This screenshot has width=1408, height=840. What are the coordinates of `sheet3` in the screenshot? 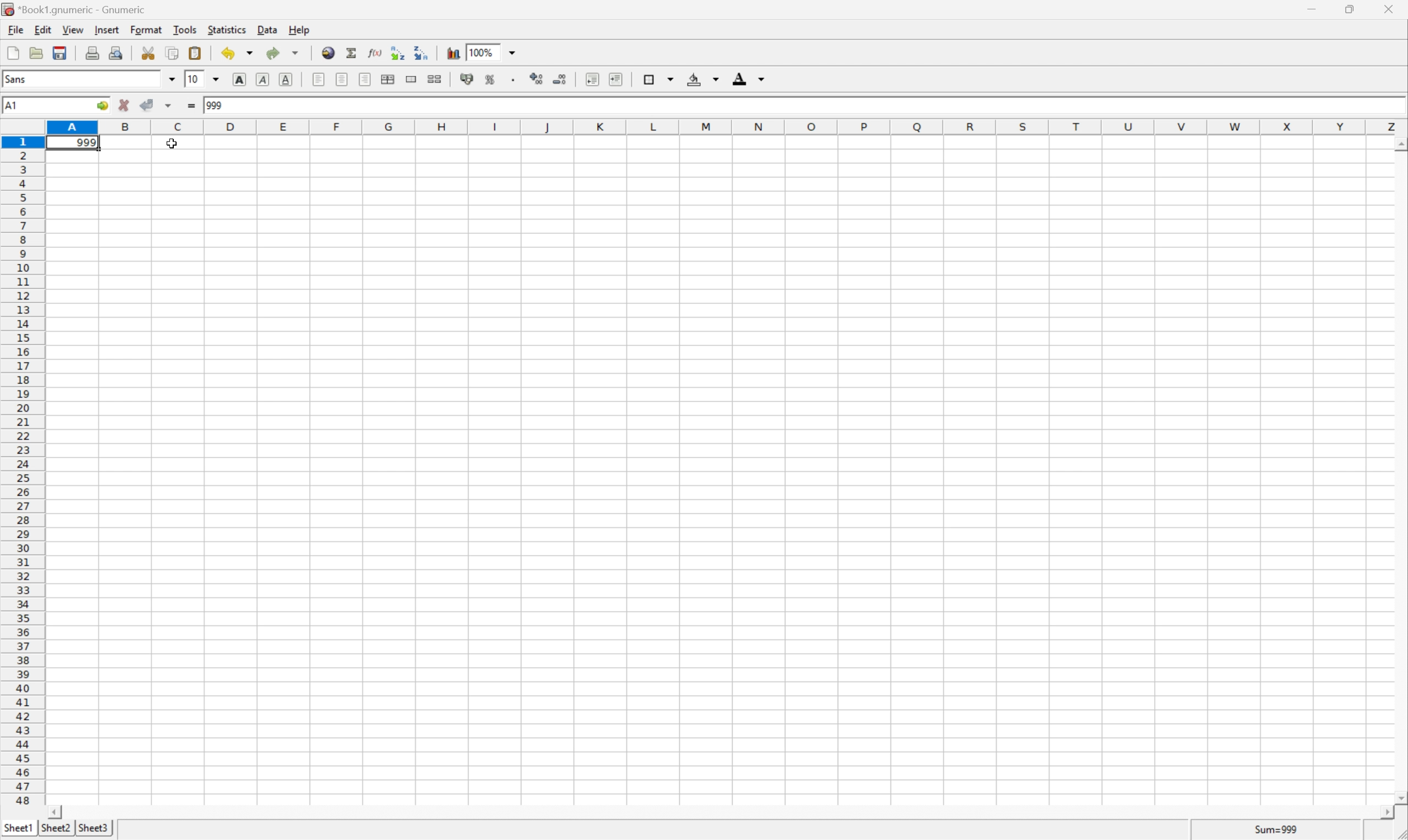 It's located at (92, 831).